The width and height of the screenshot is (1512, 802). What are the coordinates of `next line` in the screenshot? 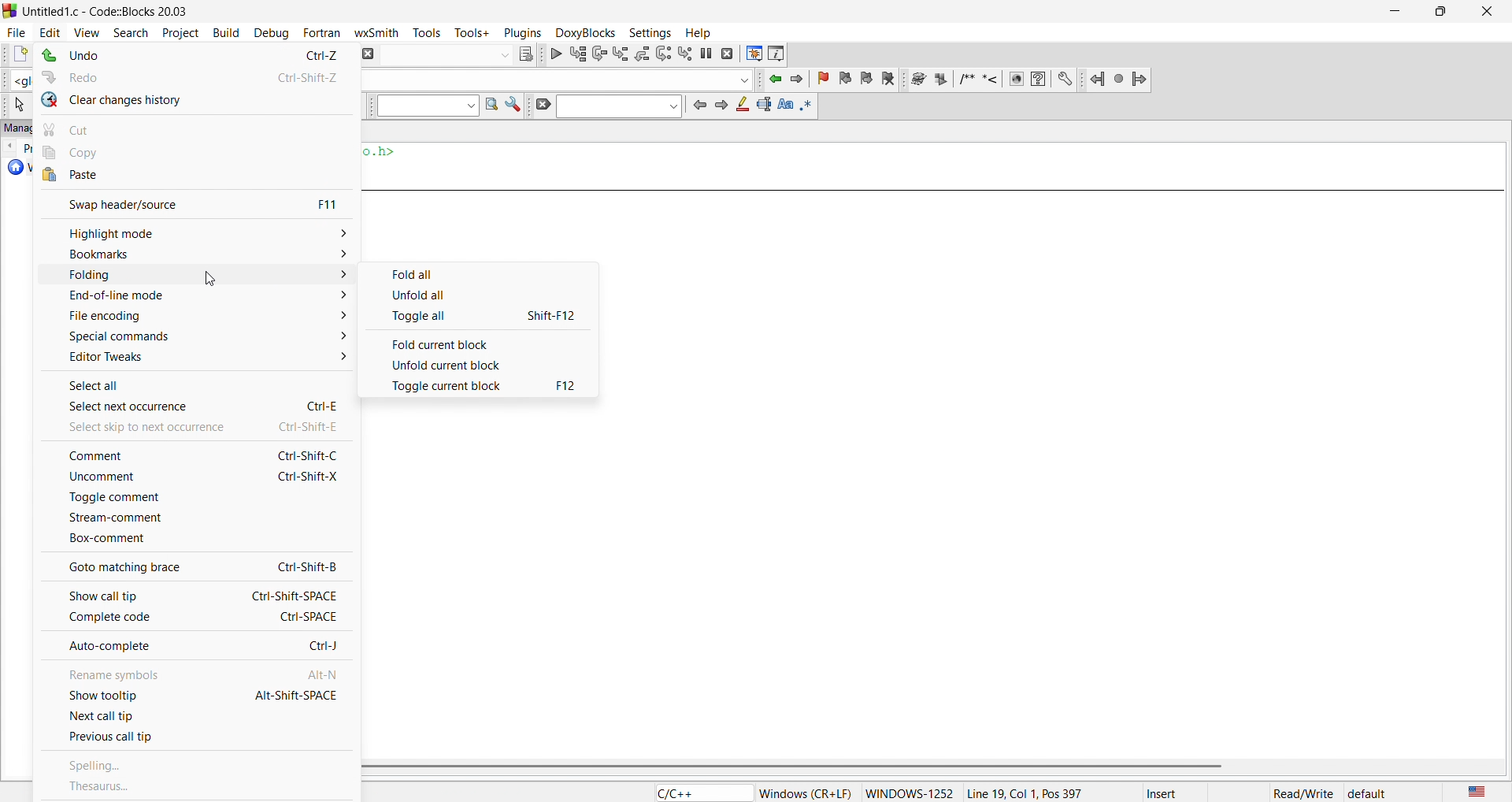 It's located at (598, 55).